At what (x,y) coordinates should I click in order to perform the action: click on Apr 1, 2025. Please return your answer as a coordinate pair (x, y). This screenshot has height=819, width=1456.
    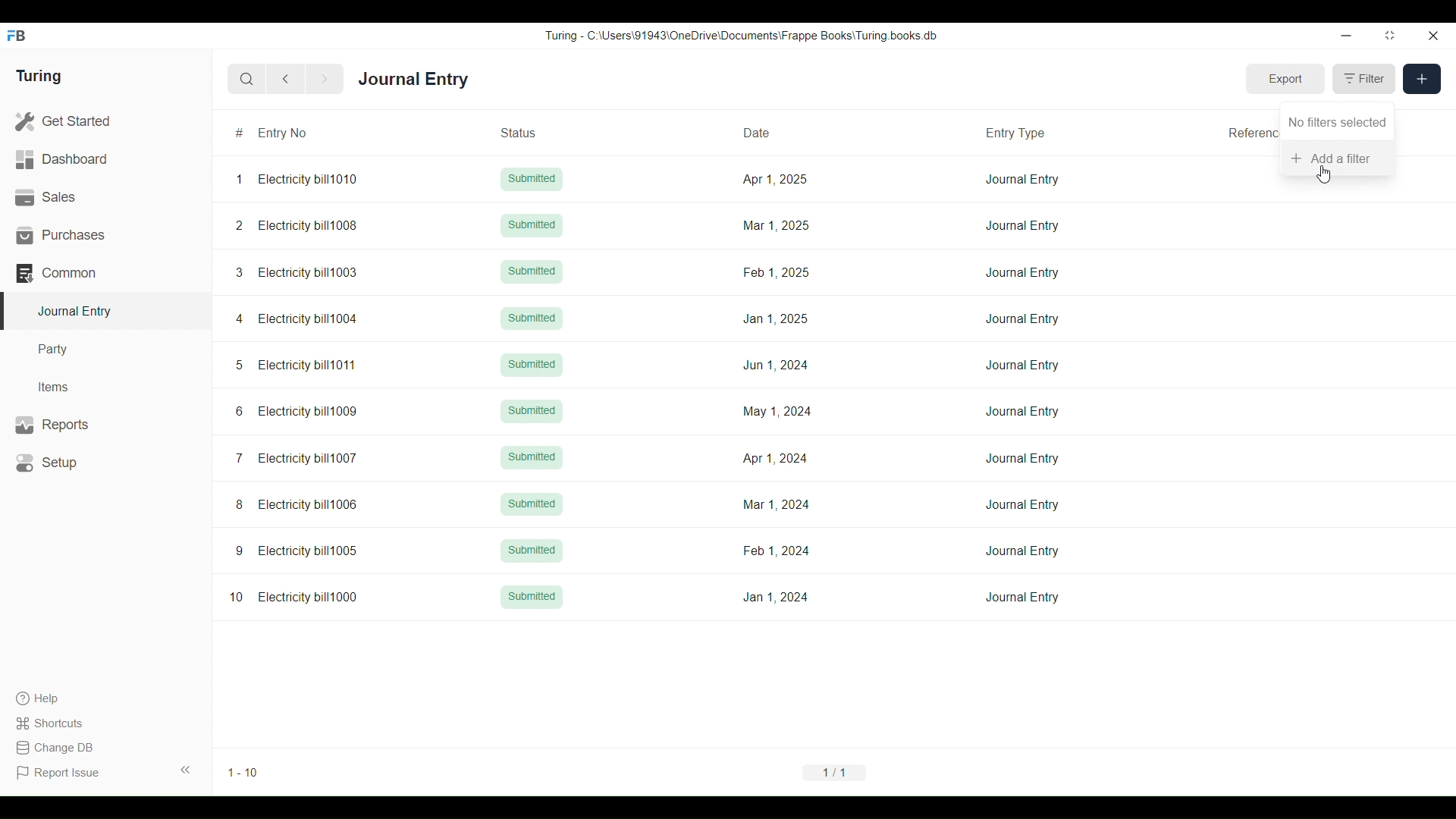
    Looking at the image, I should click on (774, 178).